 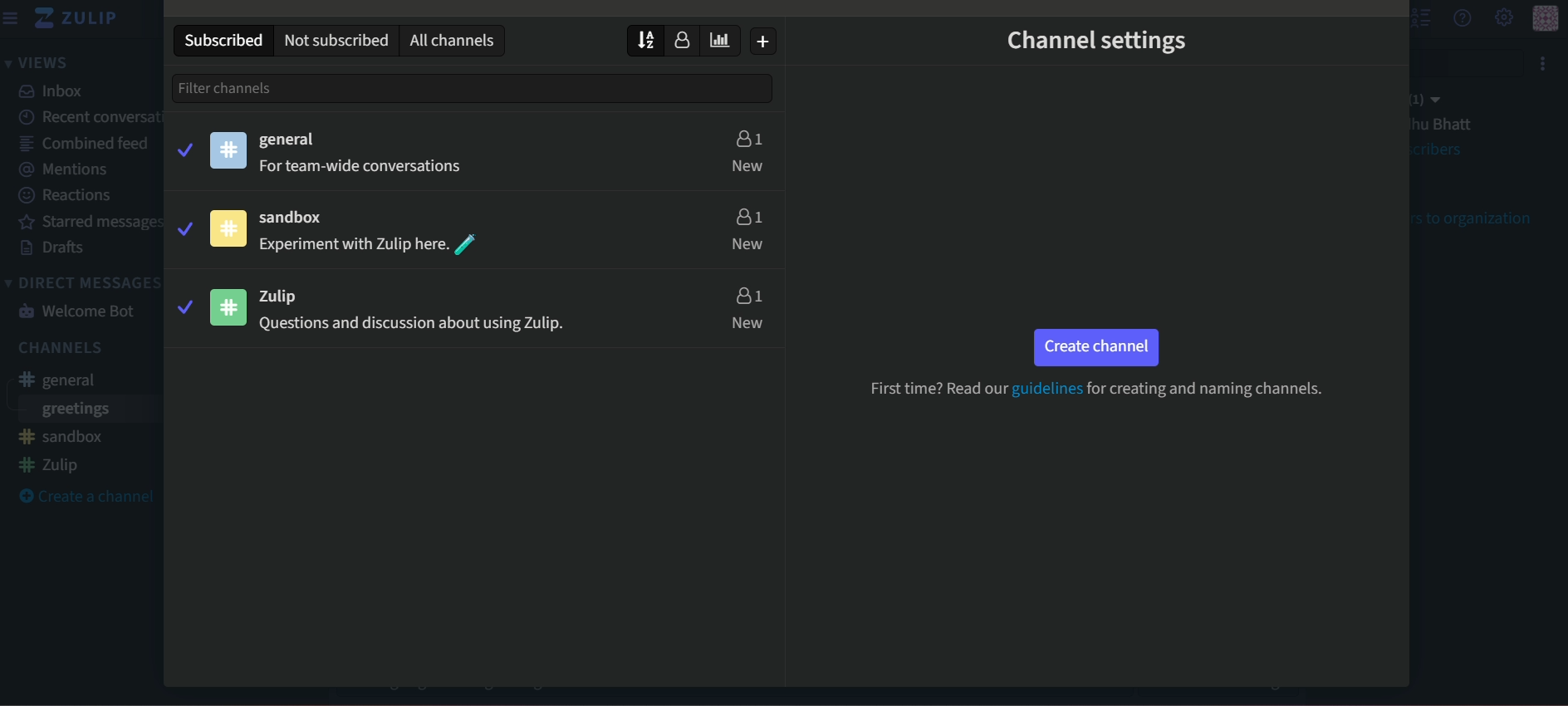 What do you see at coordinates (83, 116) in the screenshot?
I see `recent conversations` at bounding box center [83, 116].